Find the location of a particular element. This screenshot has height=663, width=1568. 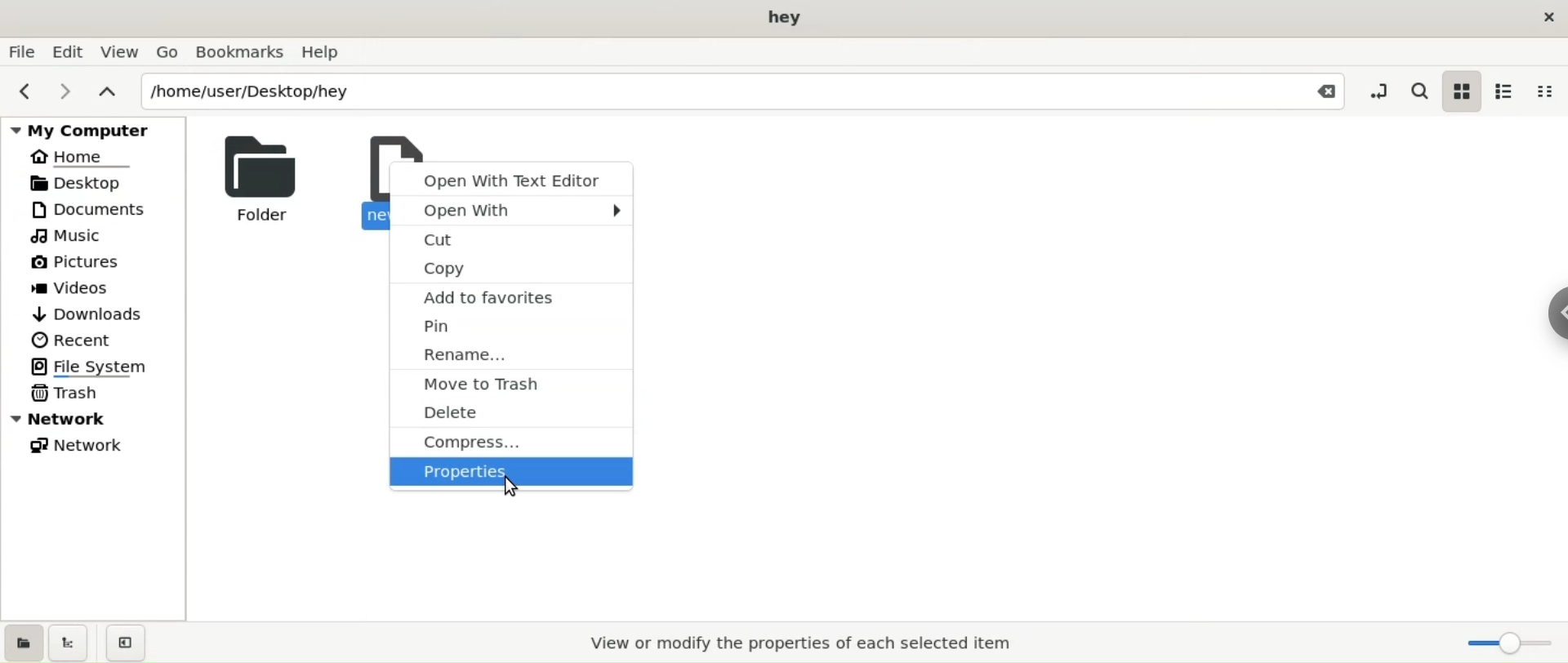

zoom is located at coordinates (1505, 644).